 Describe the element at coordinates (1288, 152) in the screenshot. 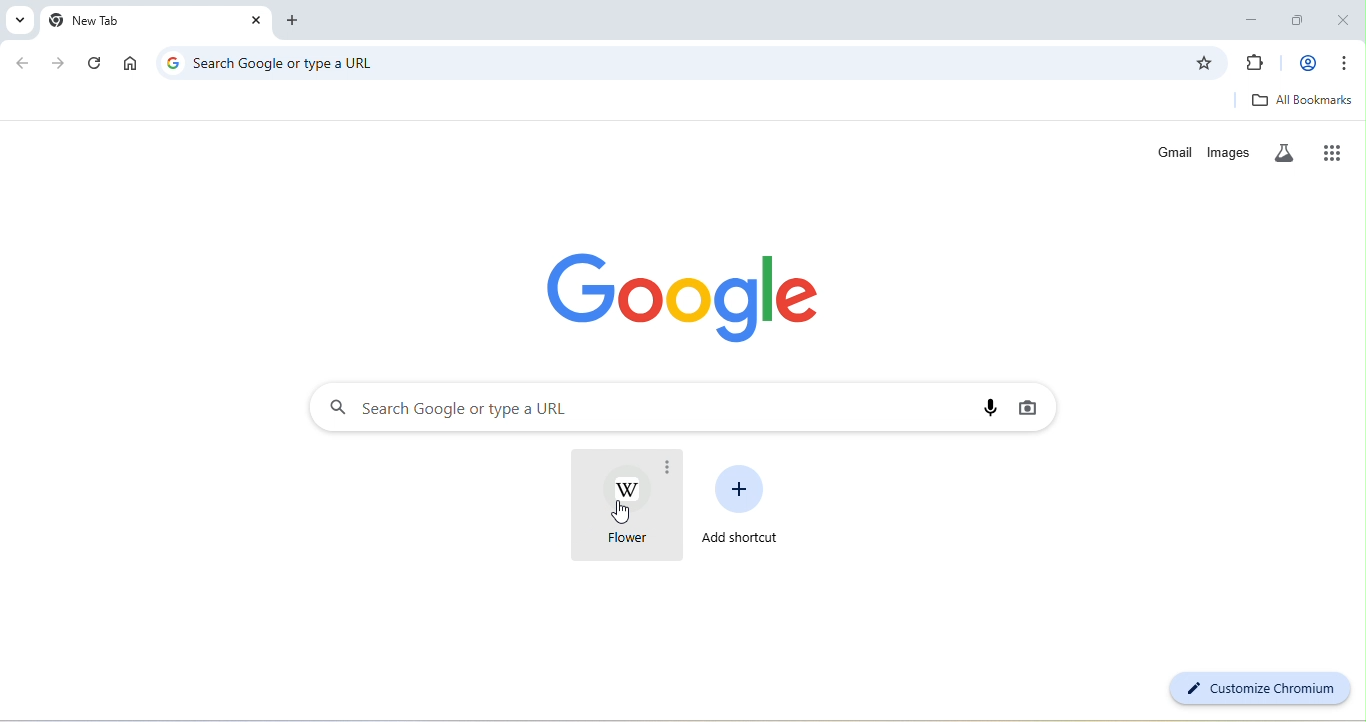

I see `search labs` at that location.